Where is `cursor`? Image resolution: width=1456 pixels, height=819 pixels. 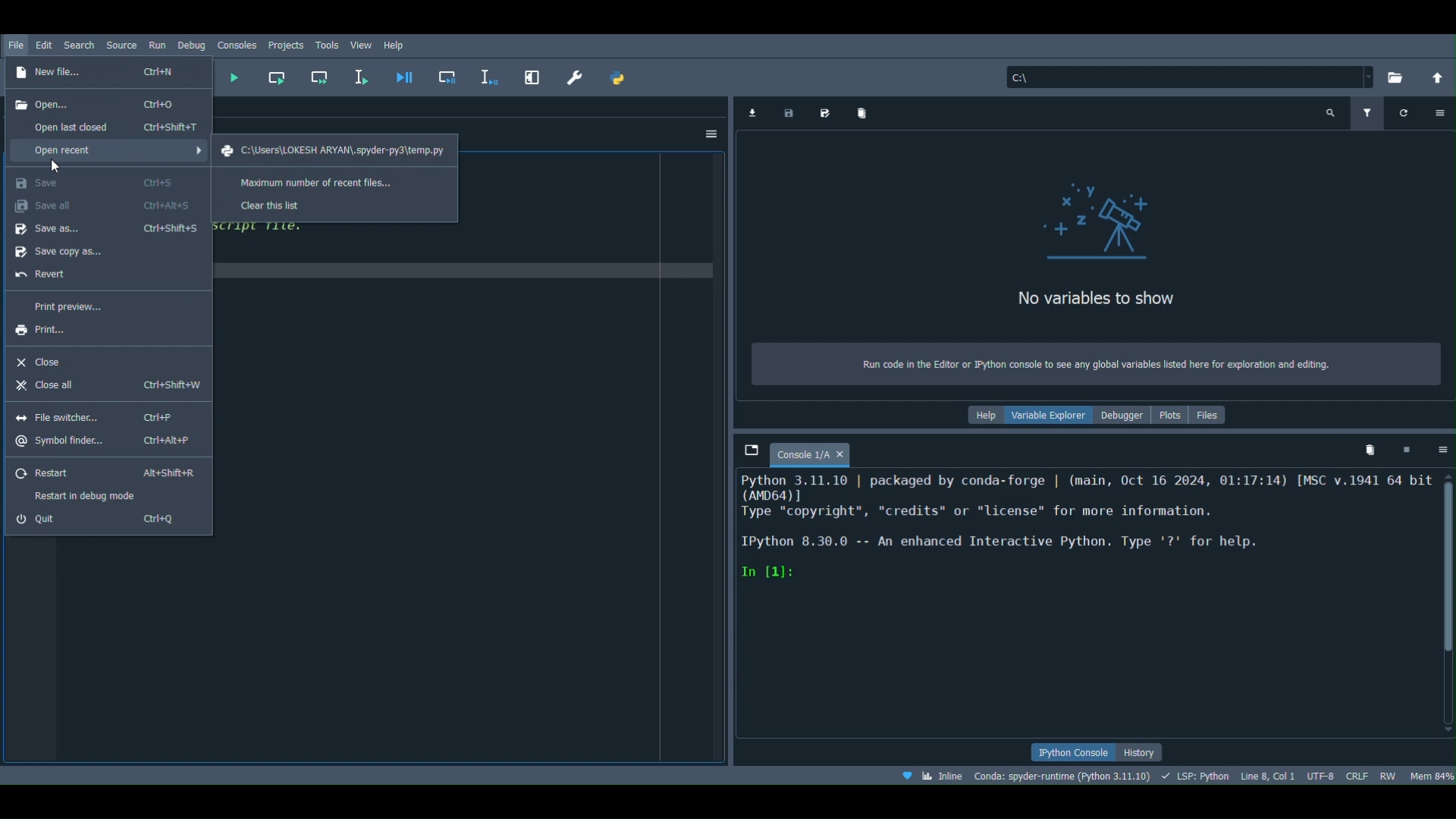 cursor is located at coordinates (56, 165).